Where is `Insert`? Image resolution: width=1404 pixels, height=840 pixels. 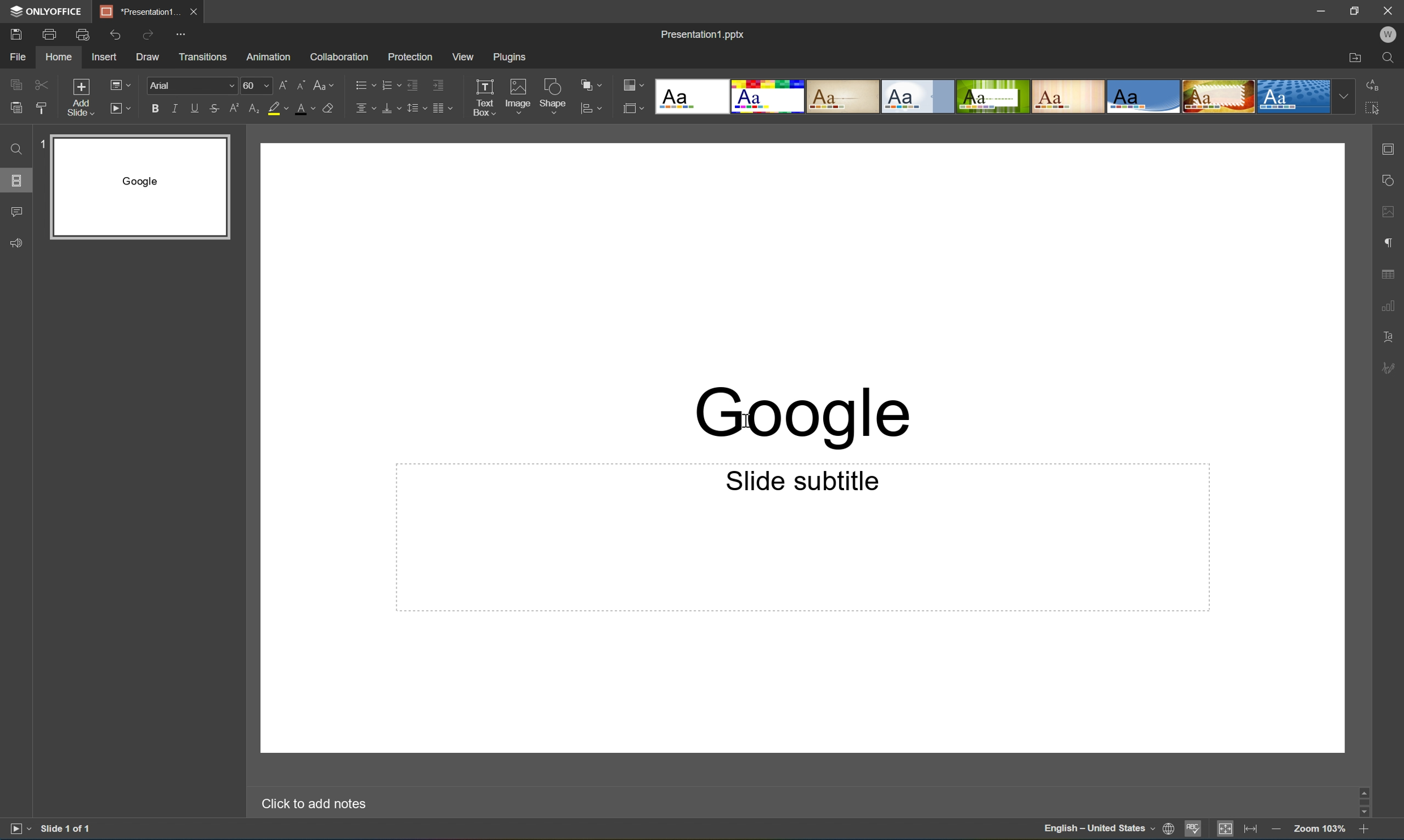 Insert is located at coordinates (106, 56).